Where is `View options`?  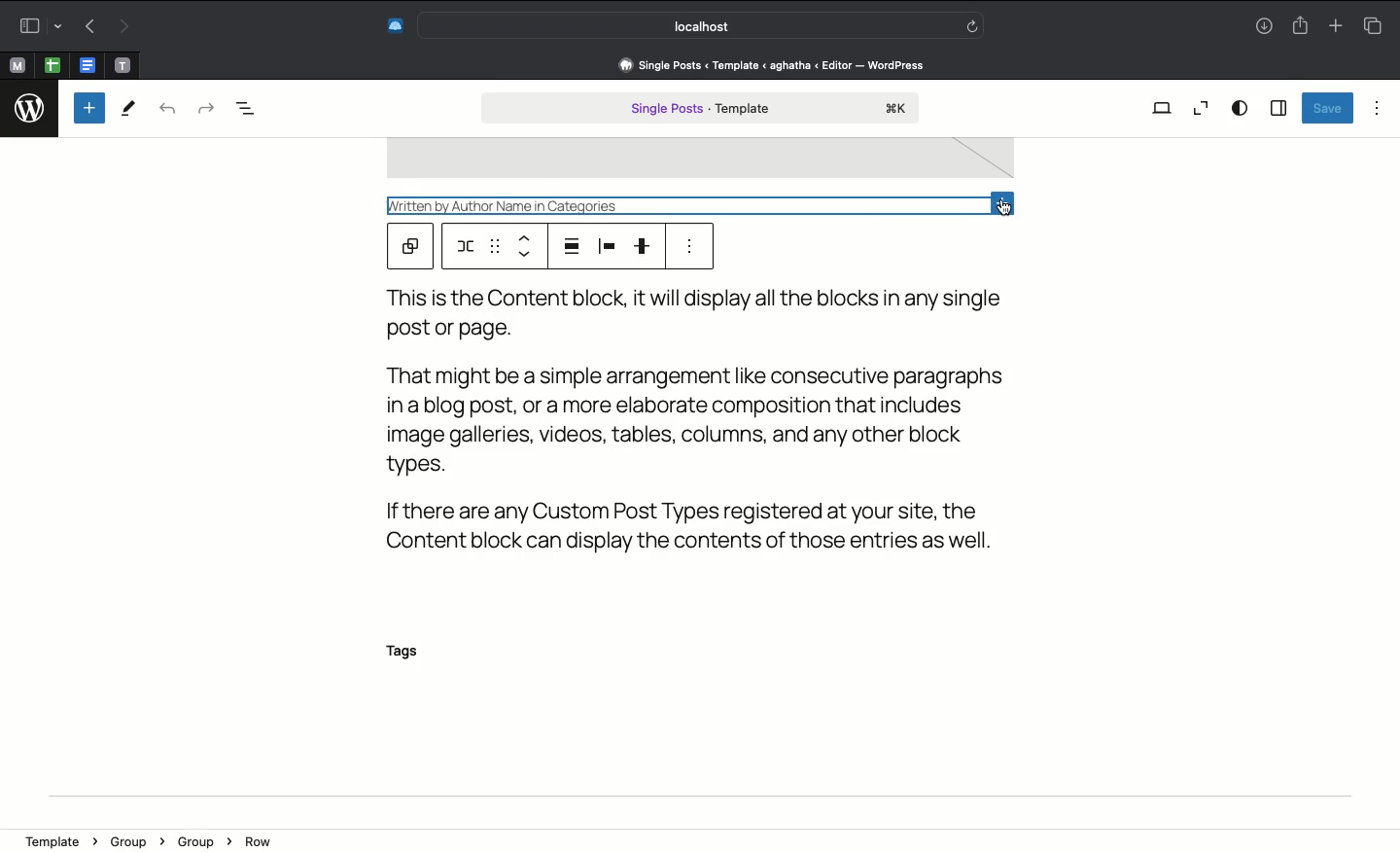
View options is located at coordinates (1240, 107).